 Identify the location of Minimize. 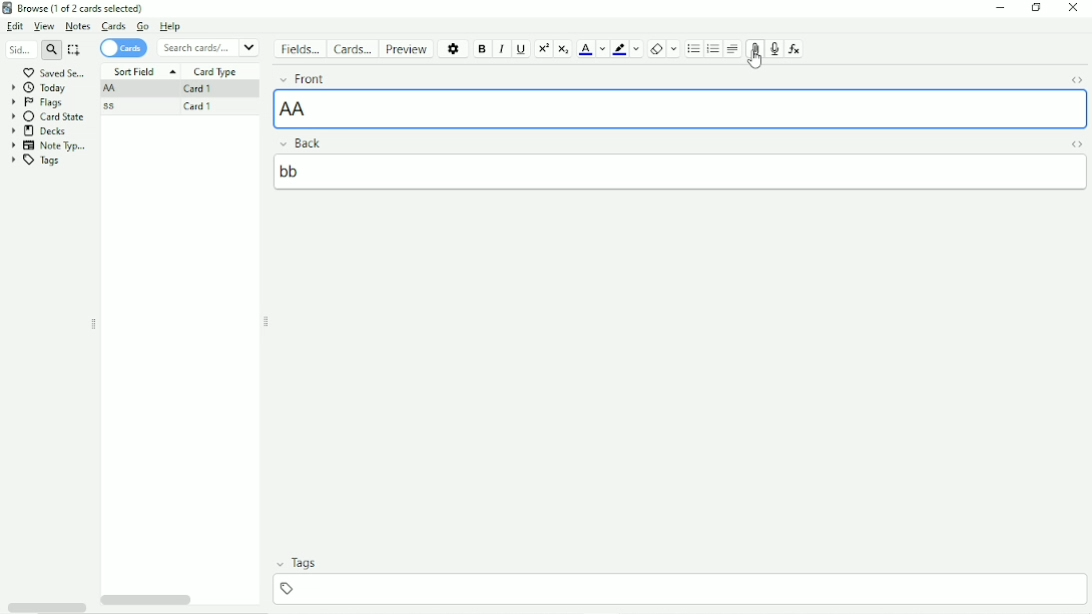
(1001, 8).